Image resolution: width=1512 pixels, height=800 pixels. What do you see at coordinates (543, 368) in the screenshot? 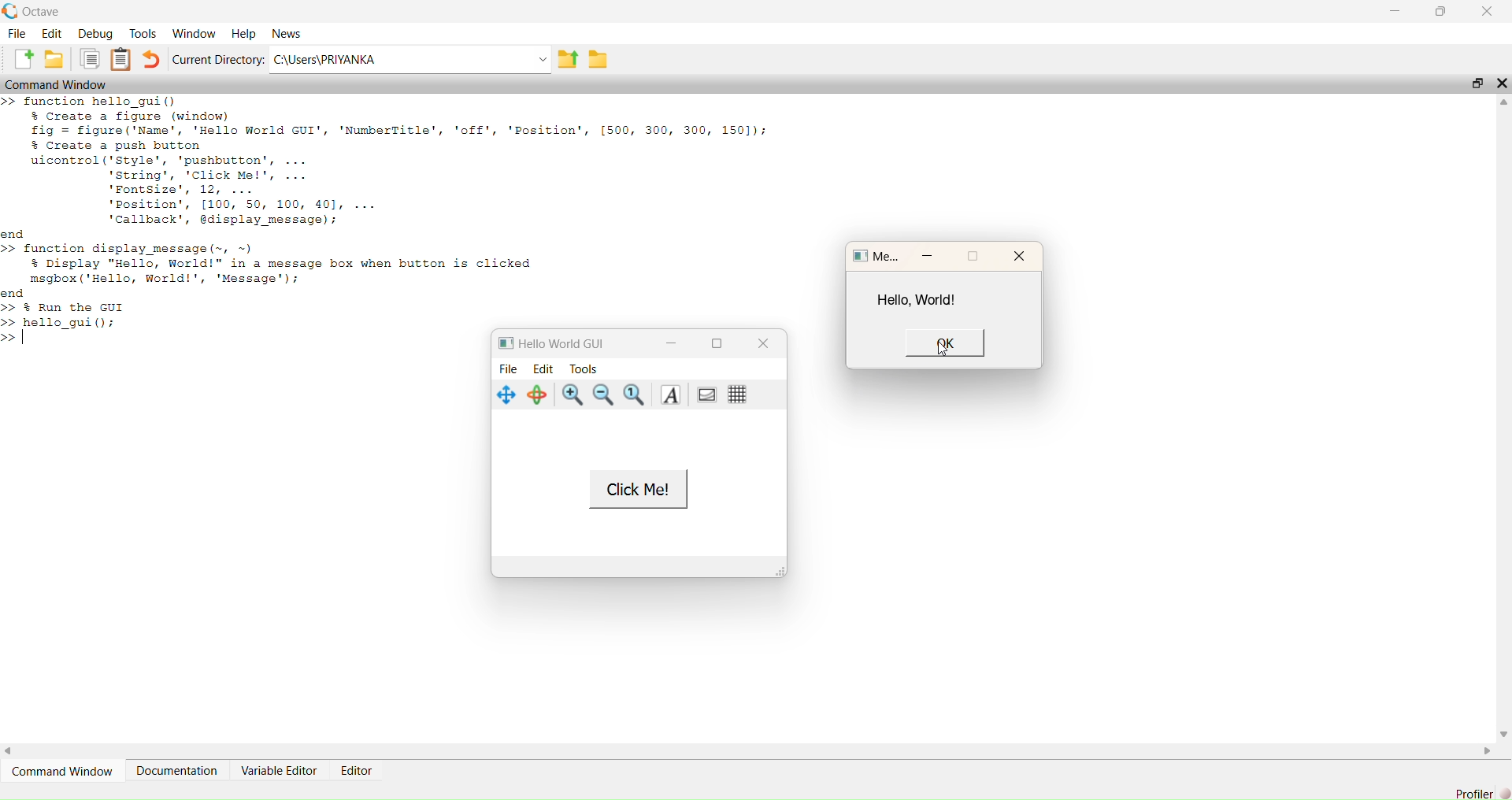
I see `Edit` at bounding box center [543, 368].